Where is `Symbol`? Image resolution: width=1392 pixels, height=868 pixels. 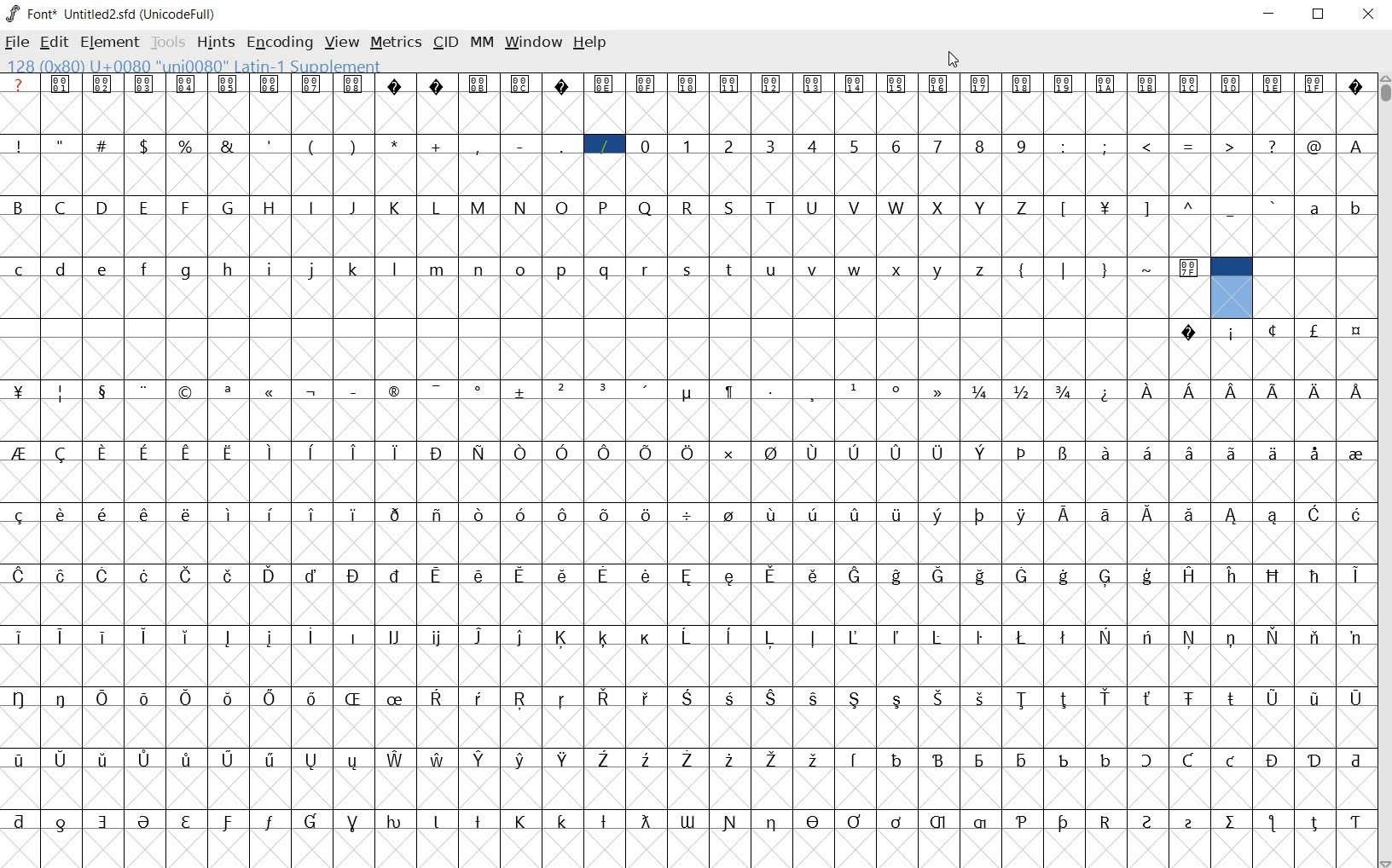
Symbol is located at coordinates (897, 453).